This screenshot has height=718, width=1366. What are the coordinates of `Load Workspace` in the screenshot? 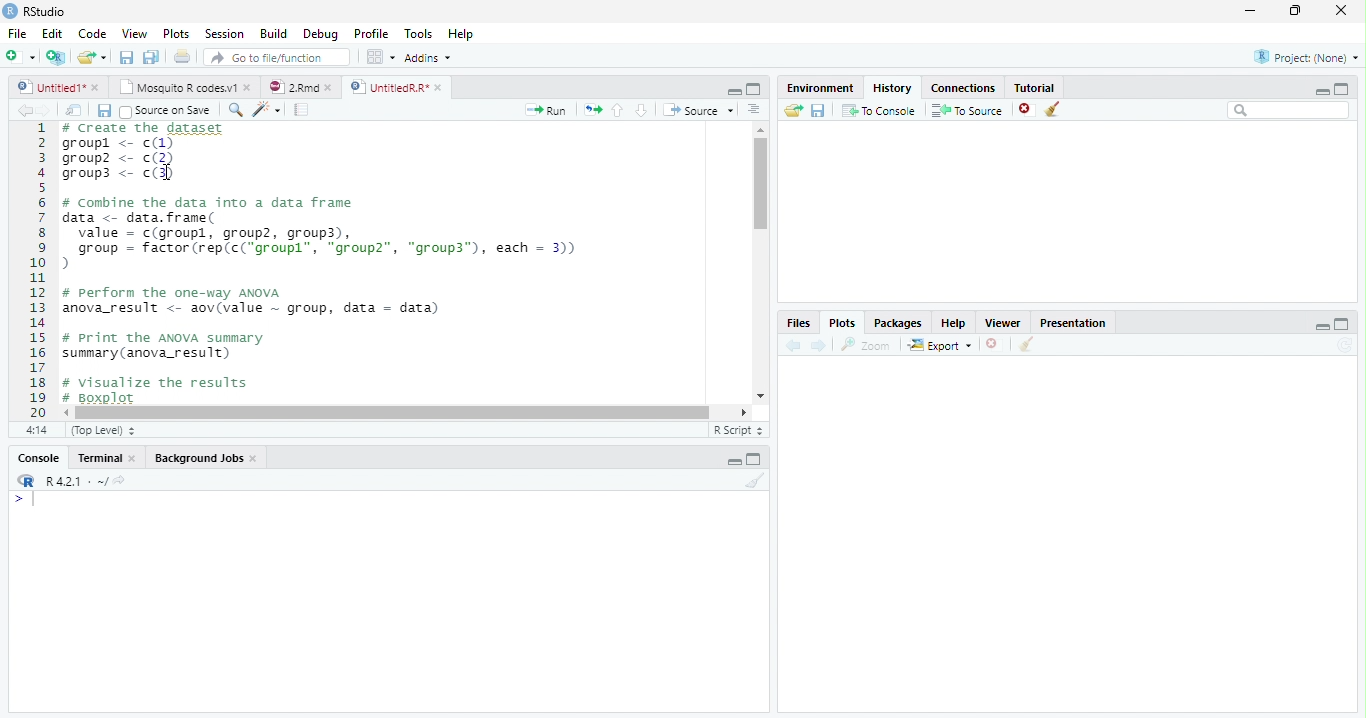 It's located at (794, 111).